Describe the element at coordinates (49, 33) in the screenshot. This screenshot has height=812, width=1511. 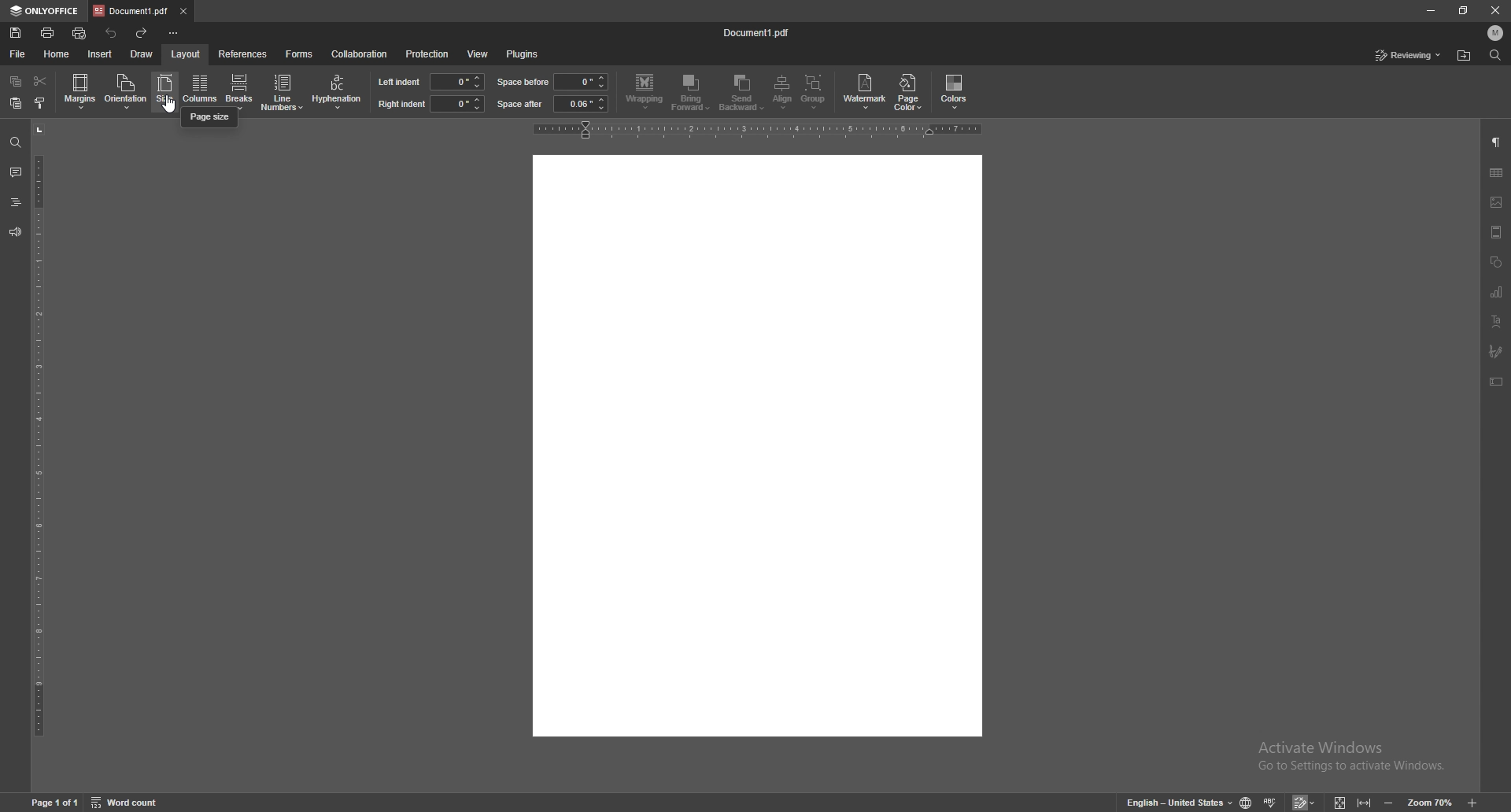
I see `print` at that location.